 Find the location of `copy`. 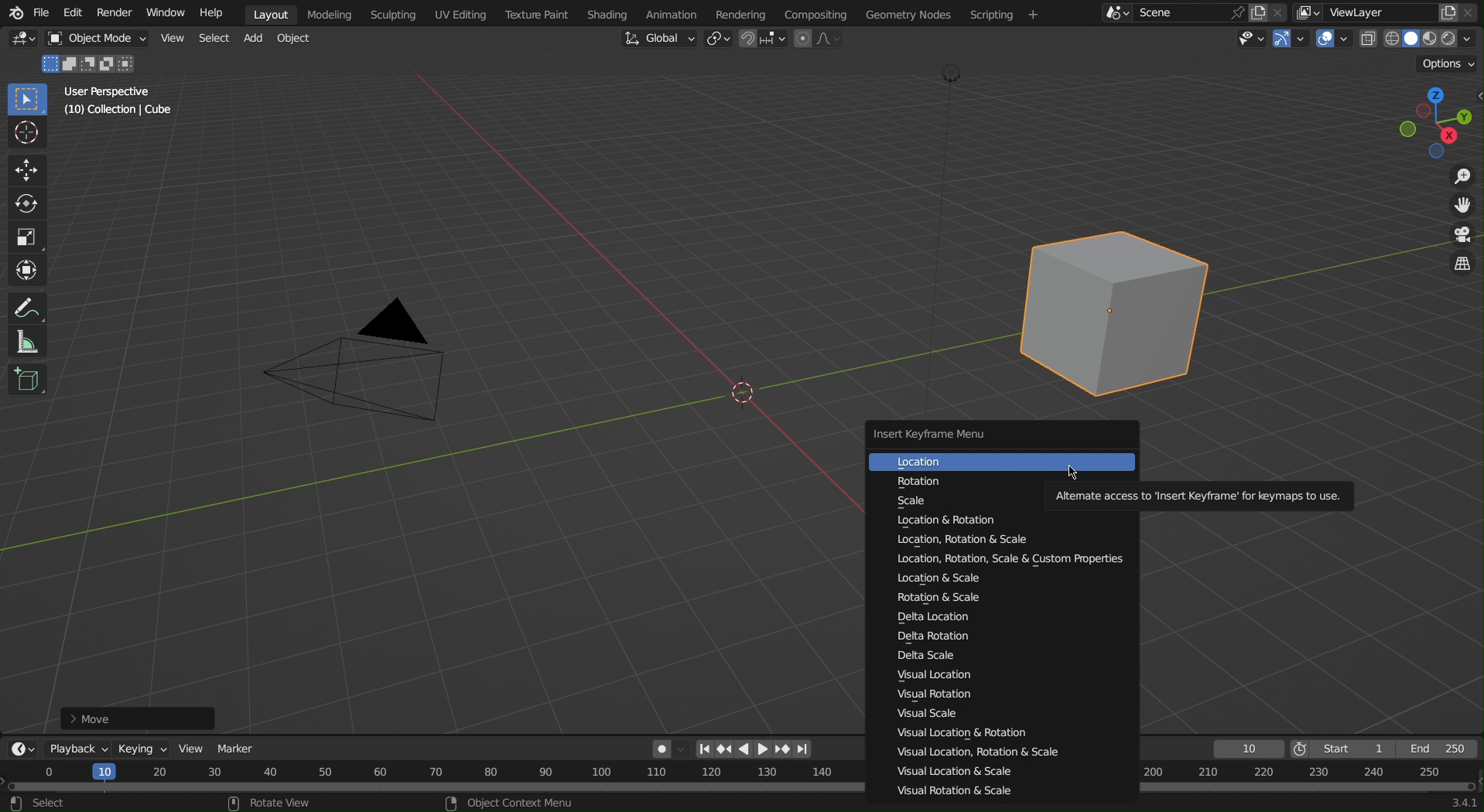

copy is located at coordinates (1448, 11).